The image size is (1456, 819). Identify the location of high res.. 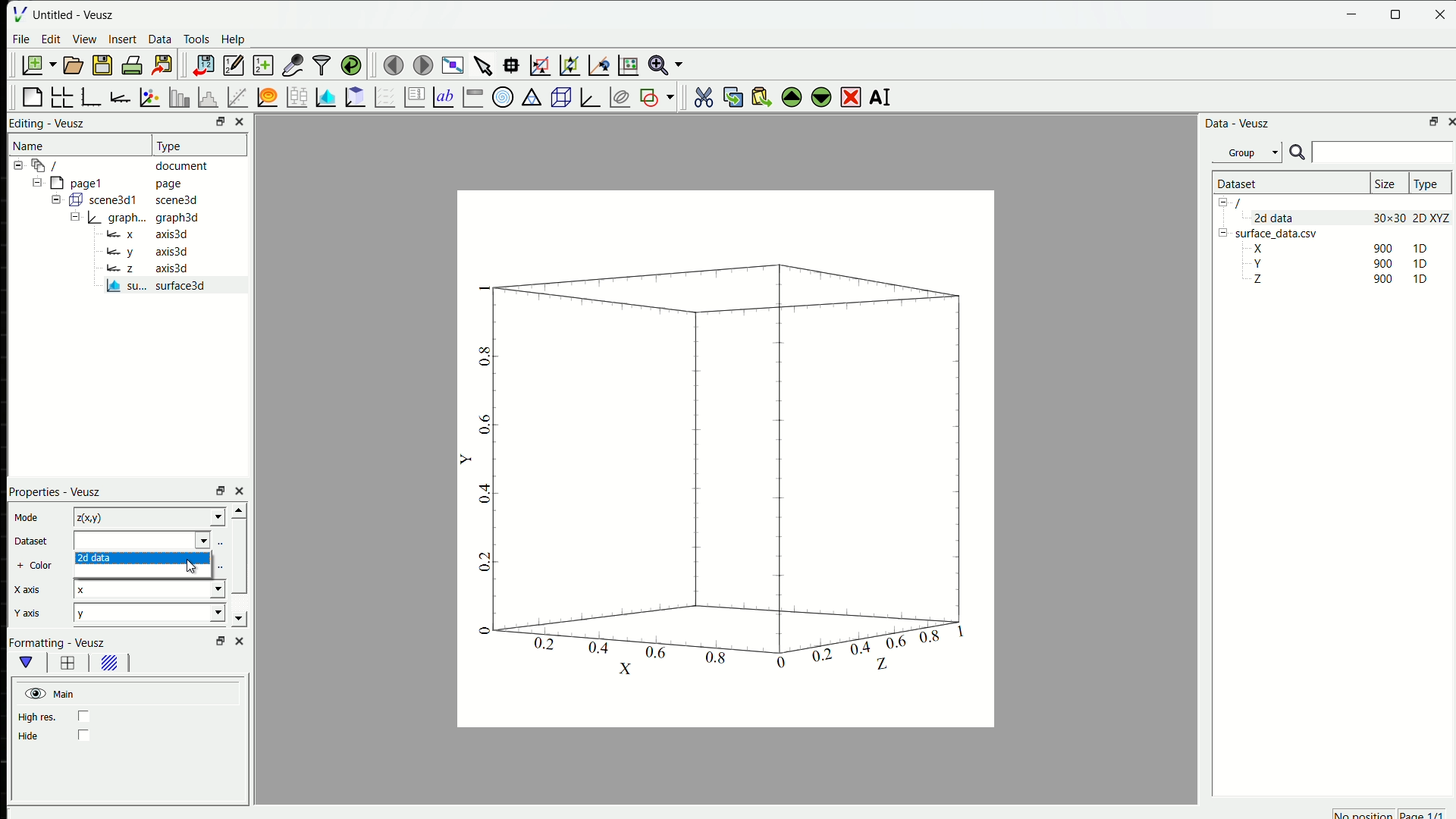
(38, 718).